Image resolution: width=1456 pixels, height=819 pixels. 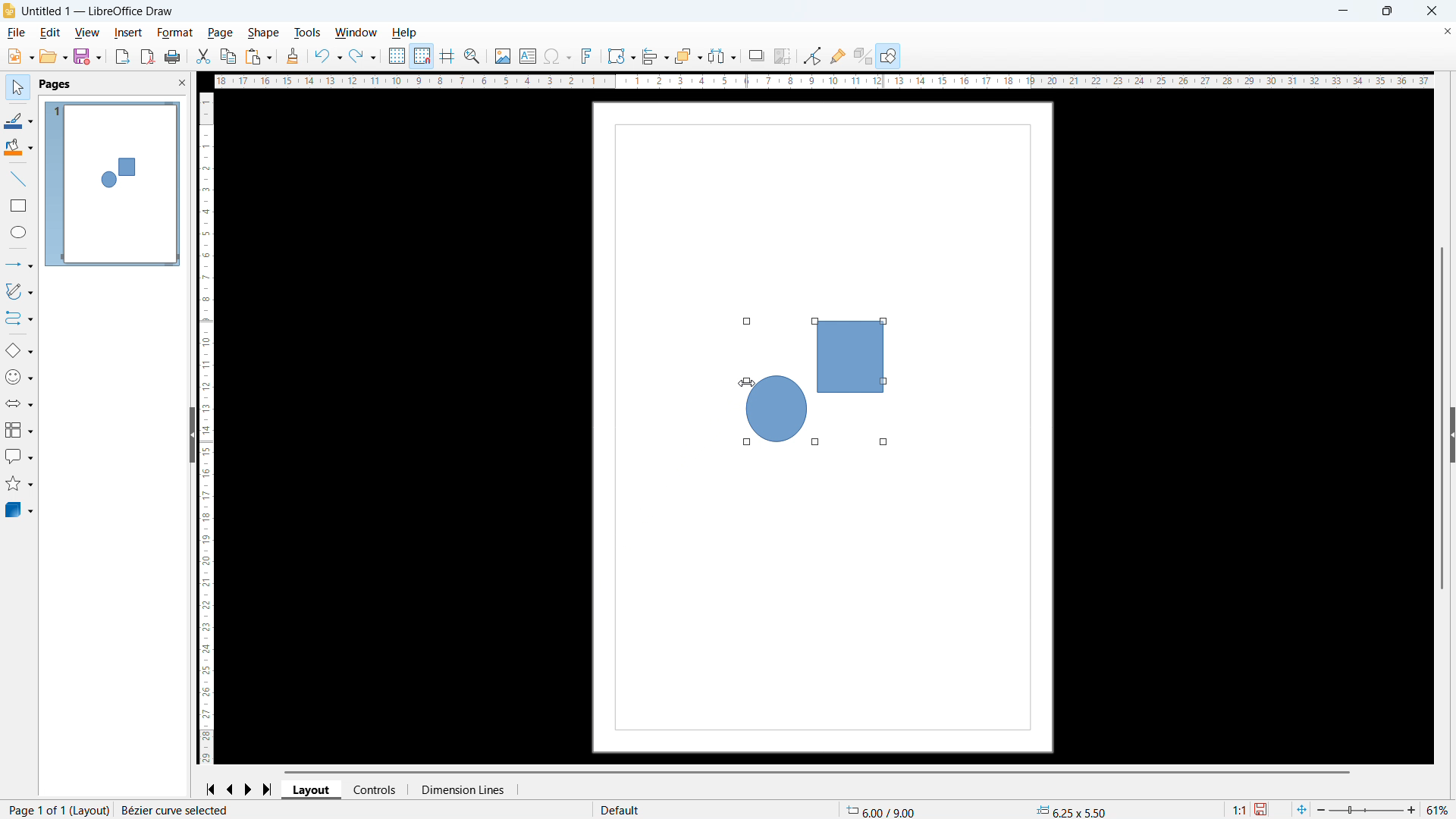 What do you see at coordinates (1072, 811) in the screenshot?
I see `Object dimensions ` at bounding box center [1072, 811].